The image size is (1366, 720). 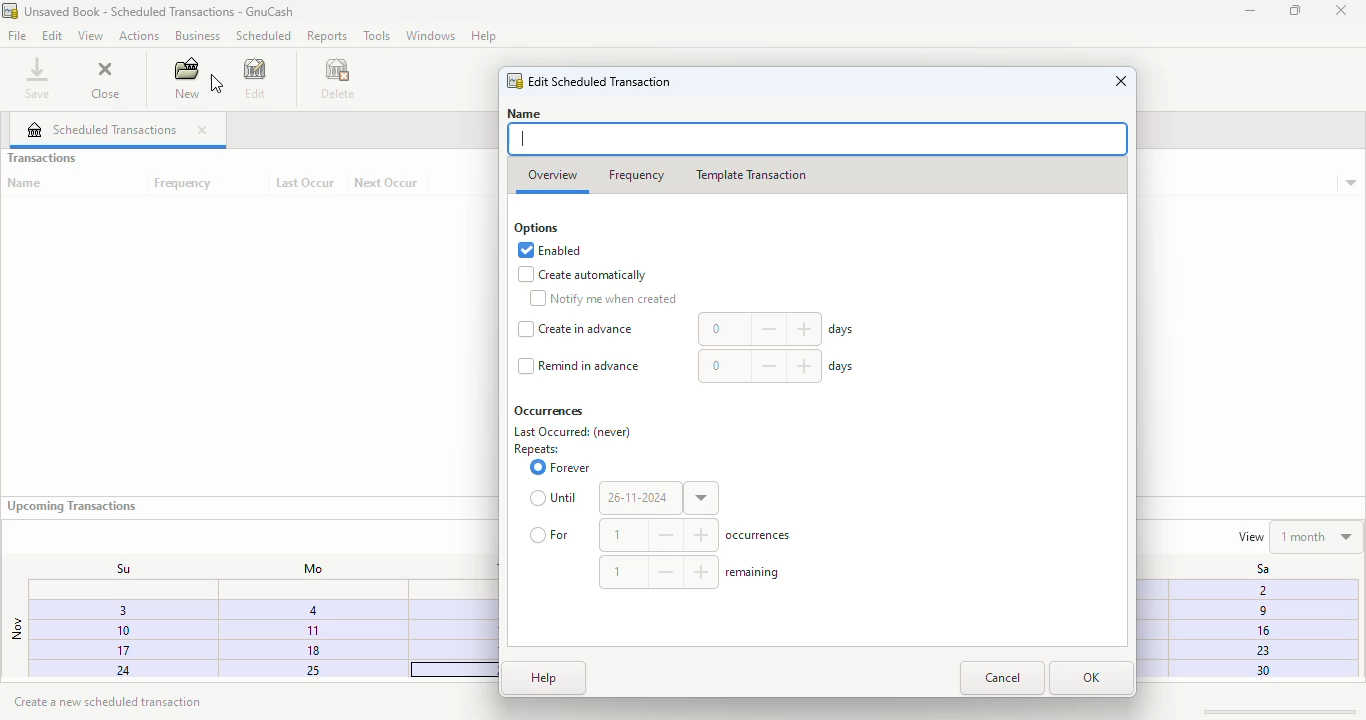 I want to click on close, so click(x=202, y=130).